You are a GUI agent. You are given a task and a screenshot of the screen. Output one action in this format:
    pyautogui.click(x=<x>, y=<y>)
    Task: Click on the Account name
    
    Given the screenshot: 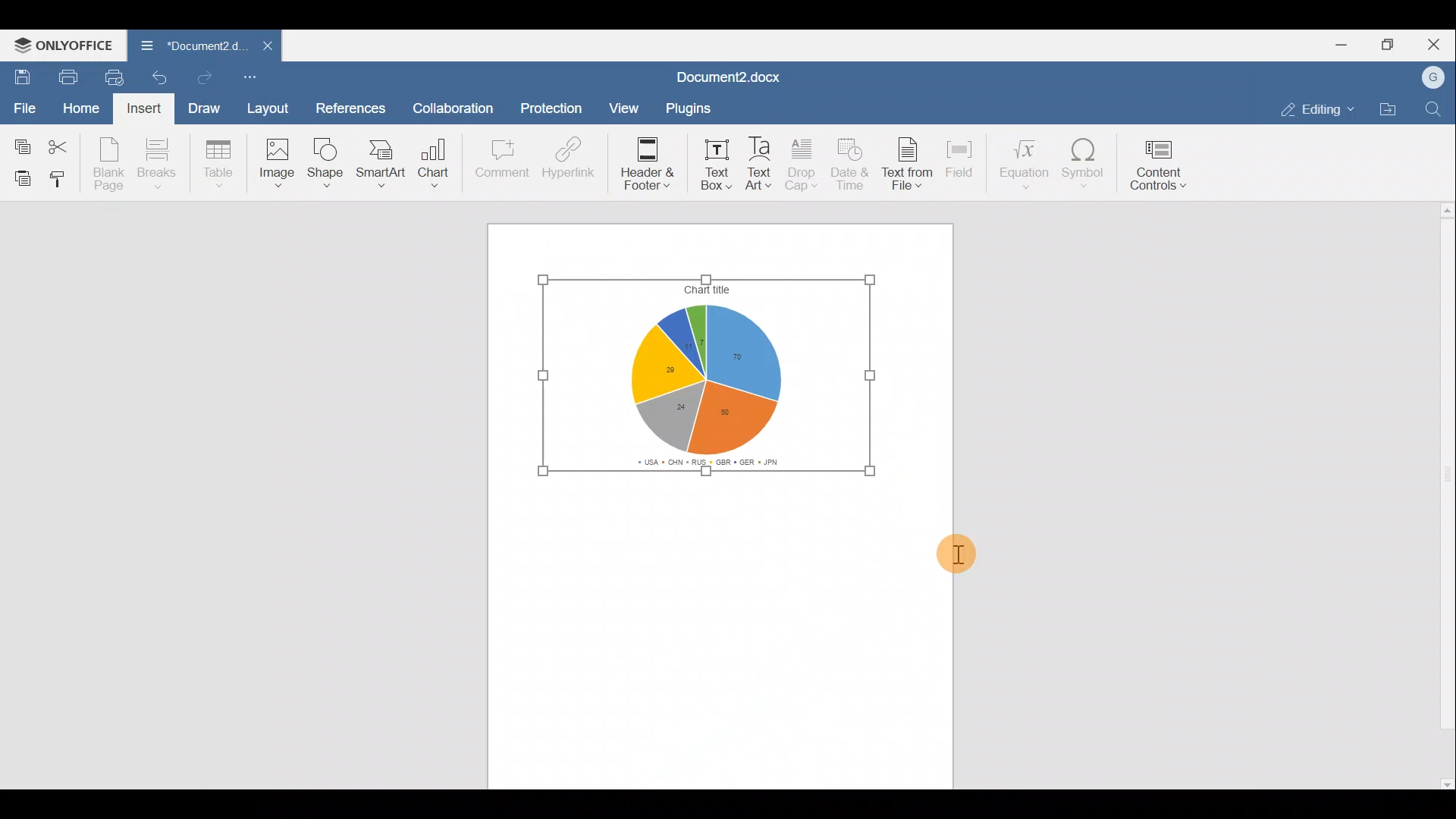 What is the action you would take?
    pyautogui.click(x=1434, y=78)
    